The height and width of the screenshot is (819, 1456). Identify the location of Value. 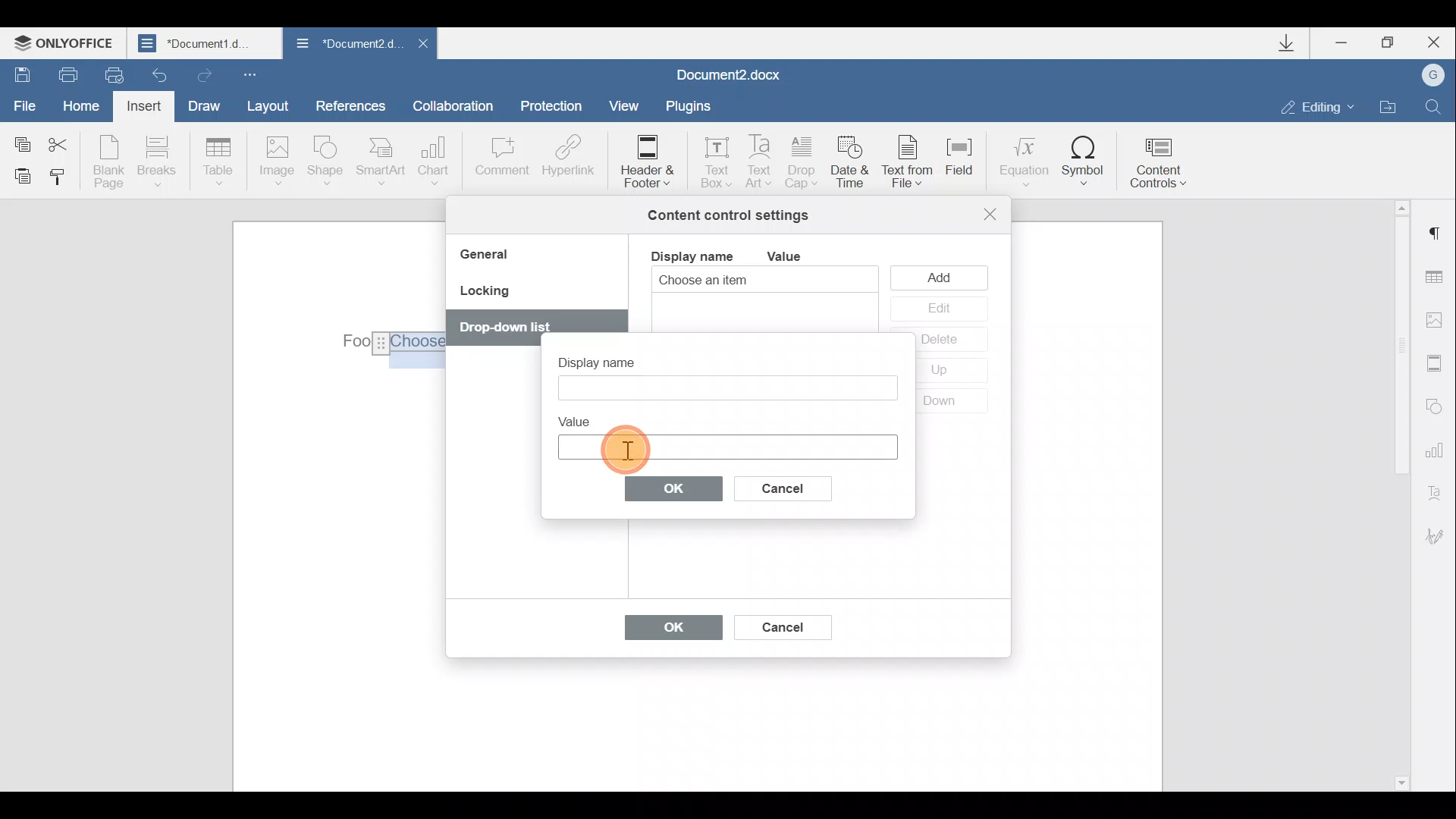
(796, 256).